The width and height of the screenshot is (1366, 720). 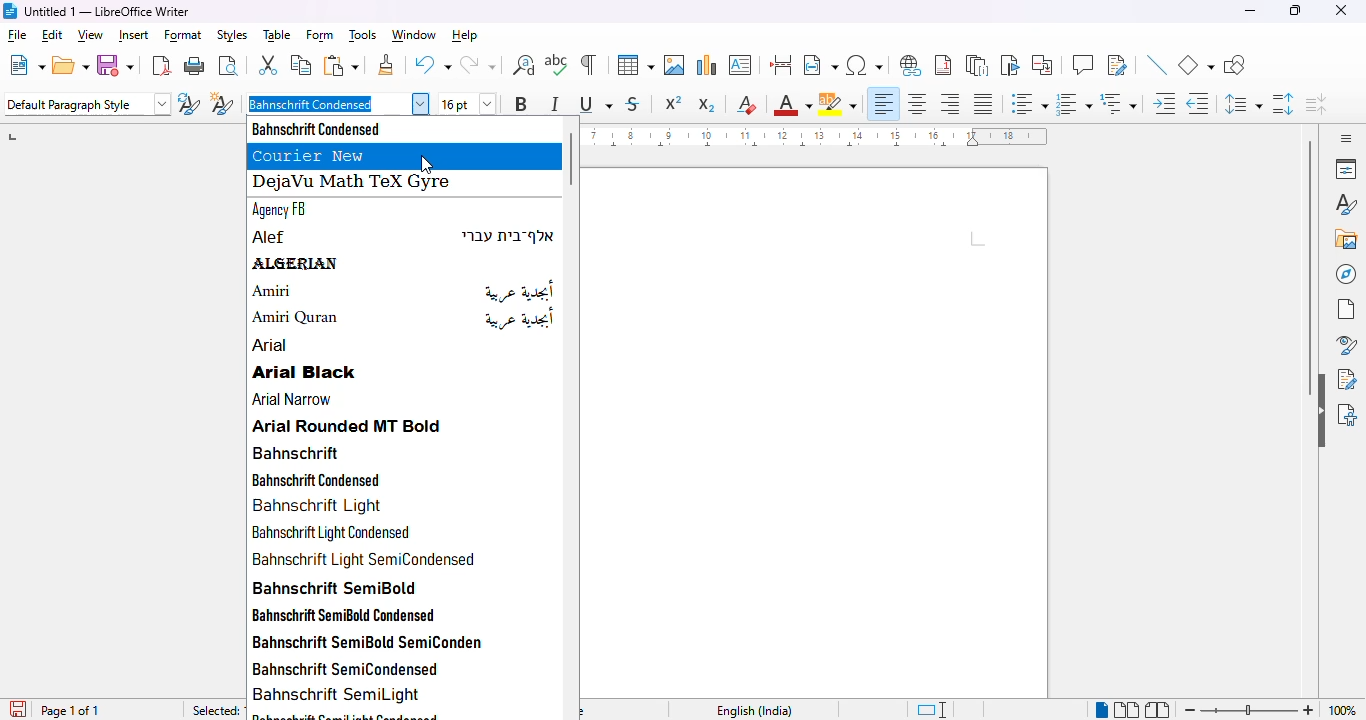 I want to click on amiri quran, so click(x=405, y=318).